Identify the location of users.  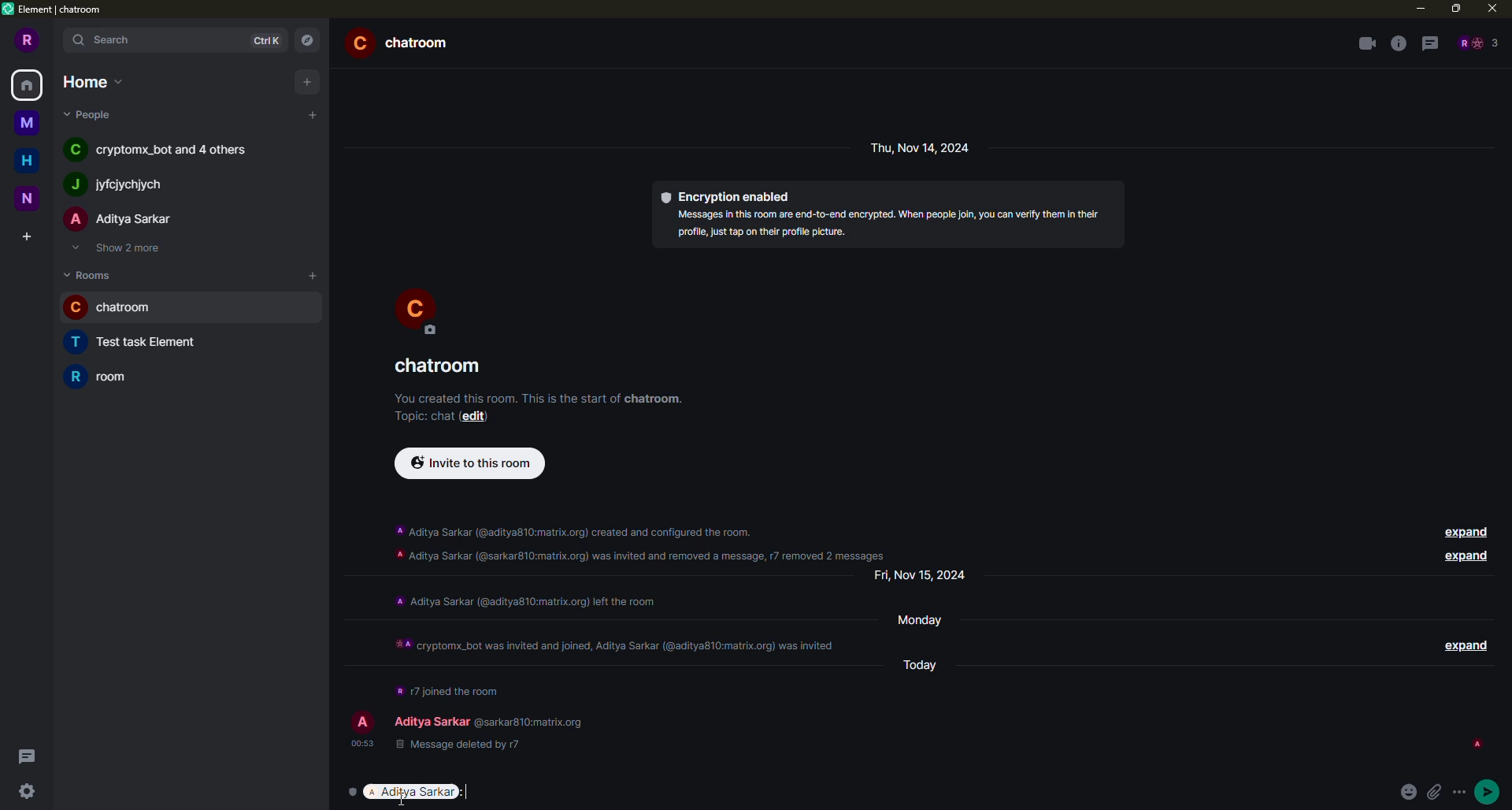
(487, 717).